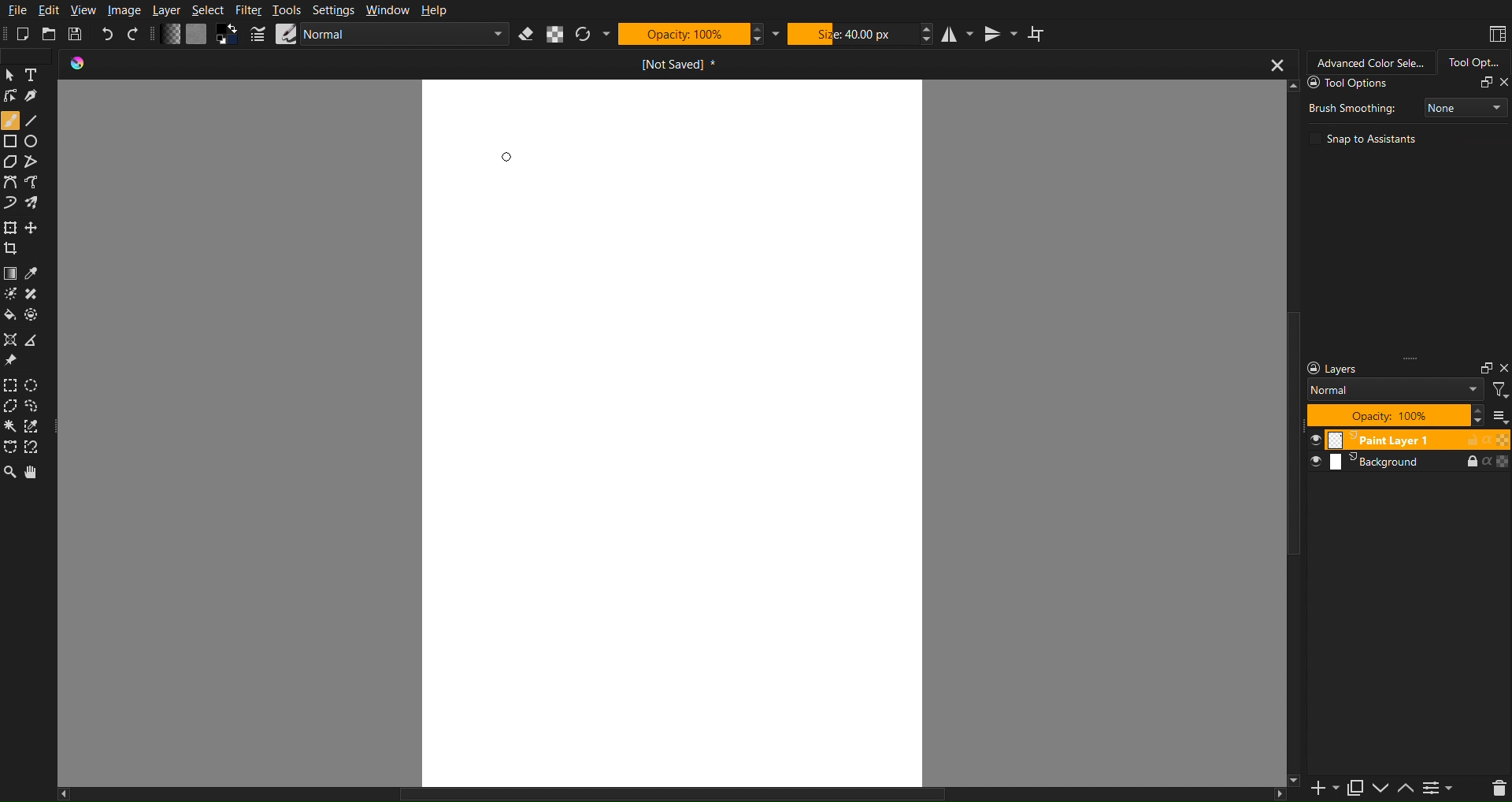 This screenshot has height=802, width=1512. What do you see at coordinates (1388, 369) in the screenshot?
I see `Layer Settings` at bounding box center [1388, 369].